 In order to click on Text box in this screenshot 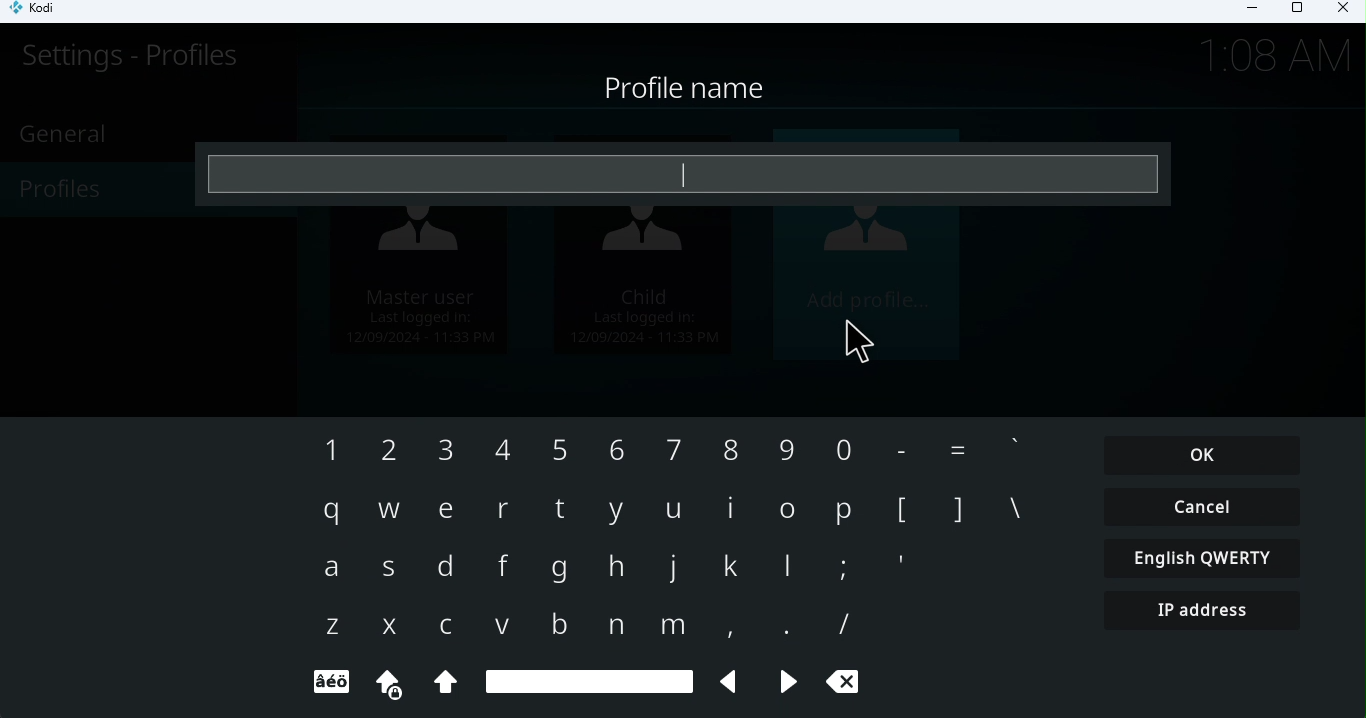, I will do `click(683, 177)`.